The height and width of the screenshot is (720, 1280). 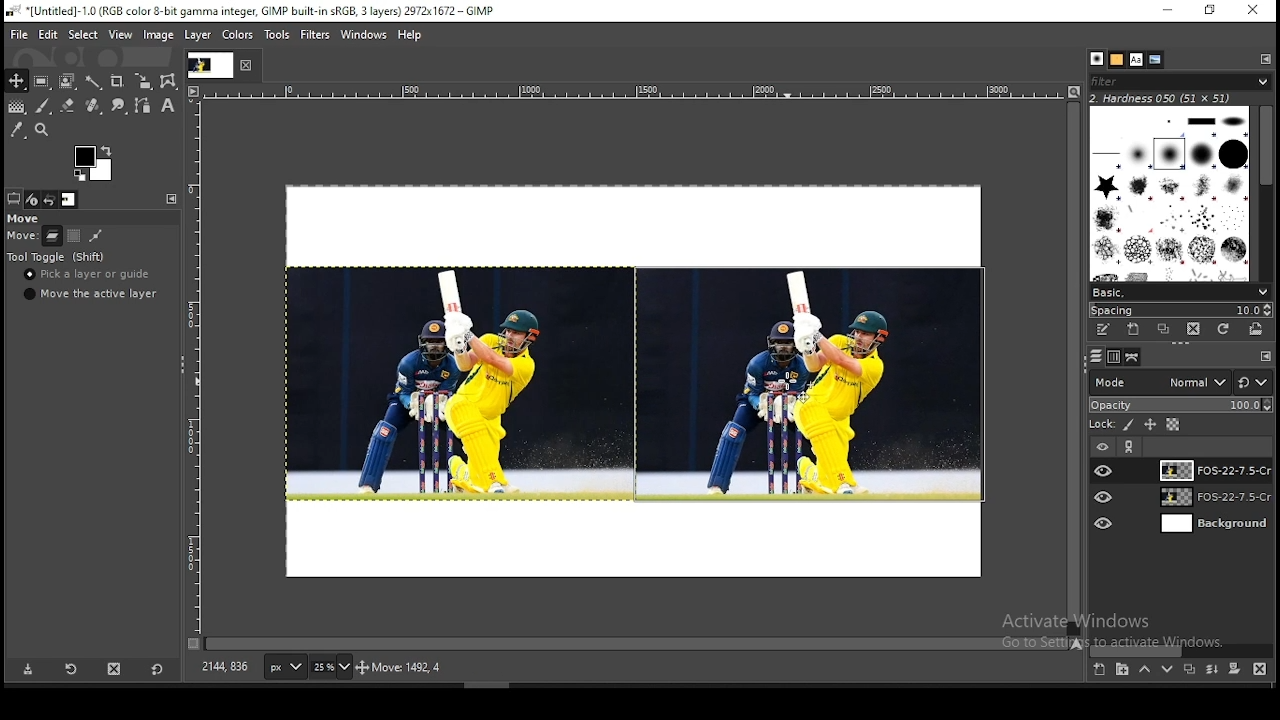 What do you see at coordinates (498, 668) in the screenshot?
I see `text` at bounding box center [498, 668].